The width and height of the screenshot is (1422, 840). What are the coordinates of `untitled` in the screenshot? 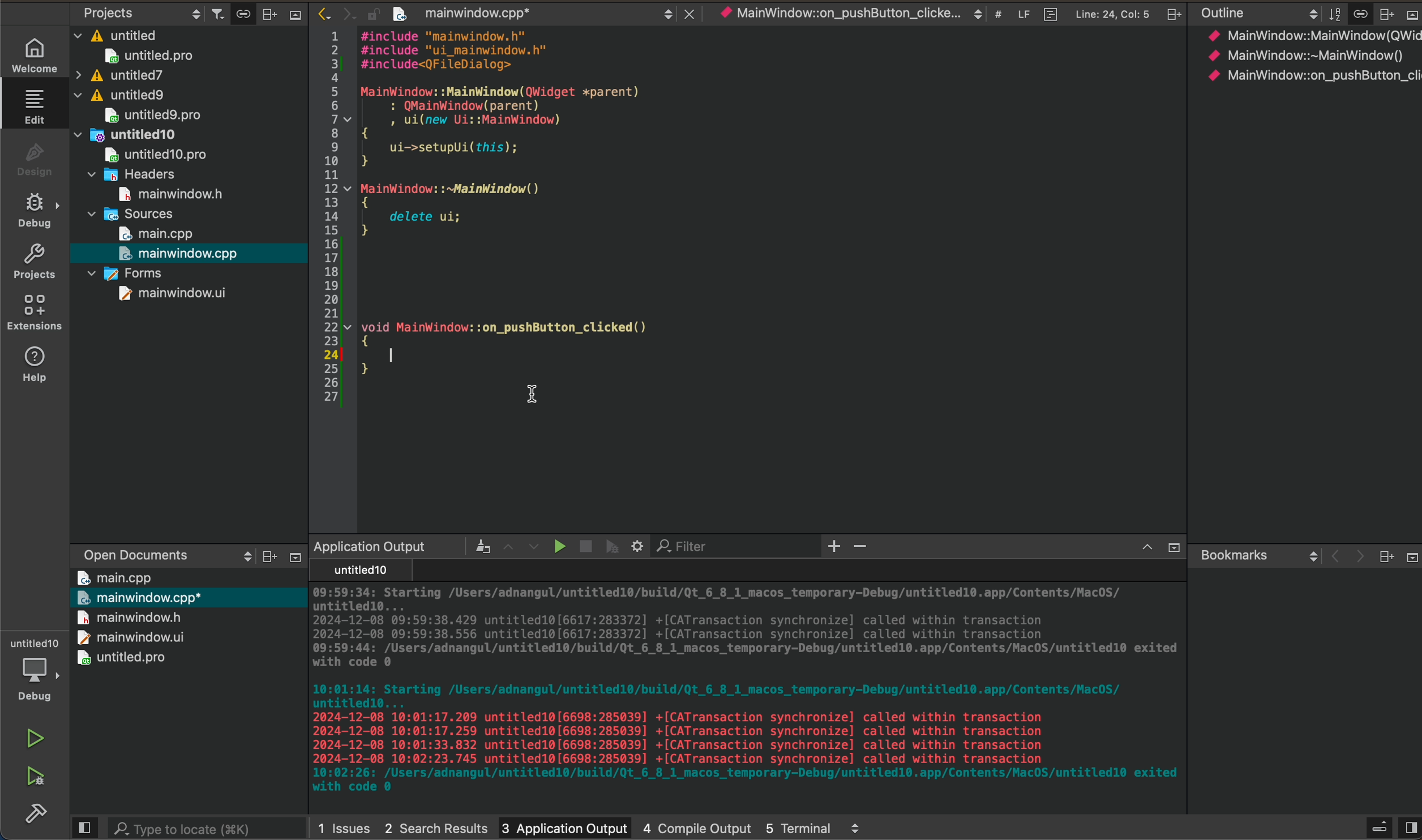 It's located at (117, 33).